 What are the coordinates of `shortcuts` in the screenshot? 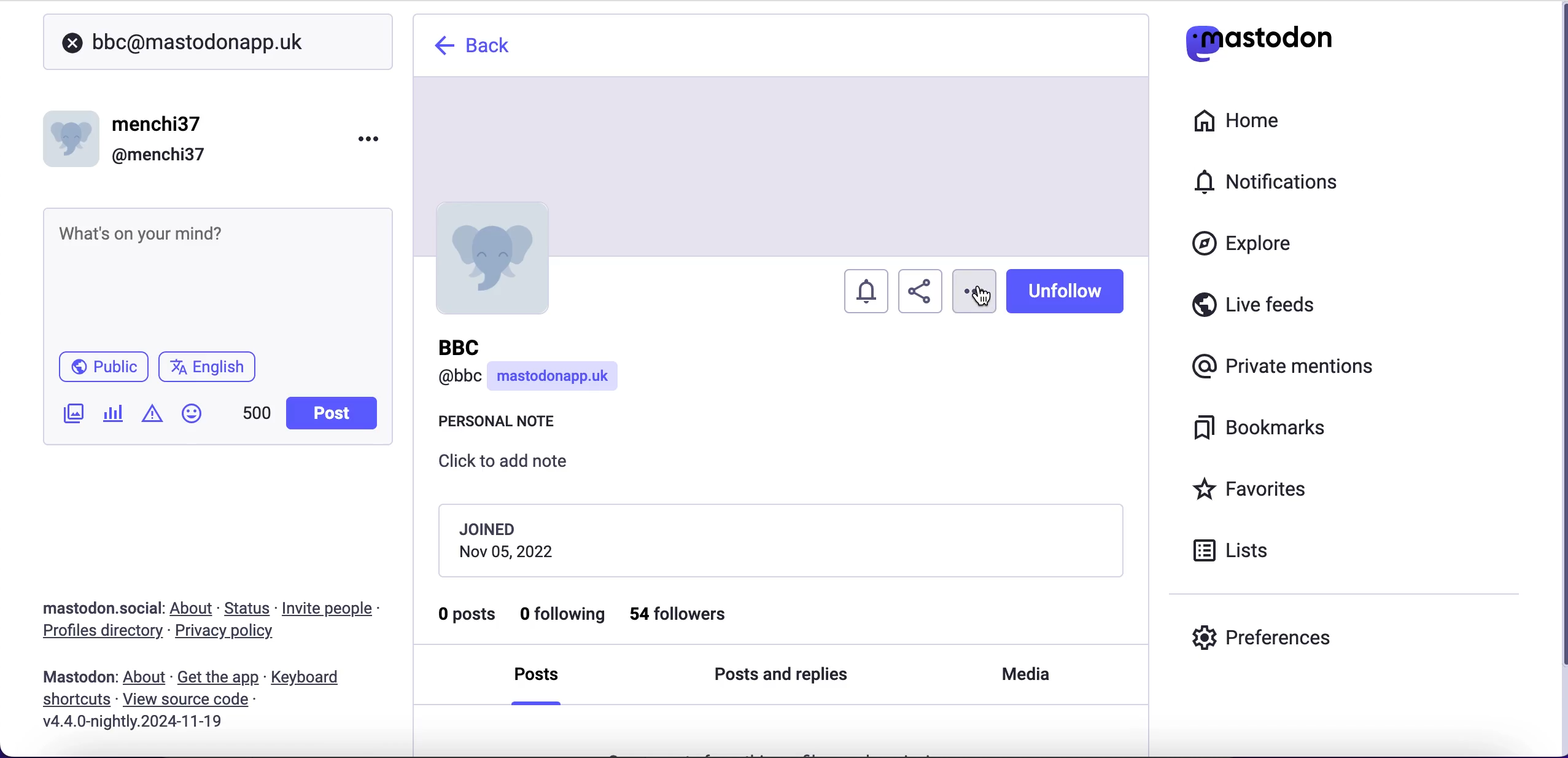 It's located at (72, 700).